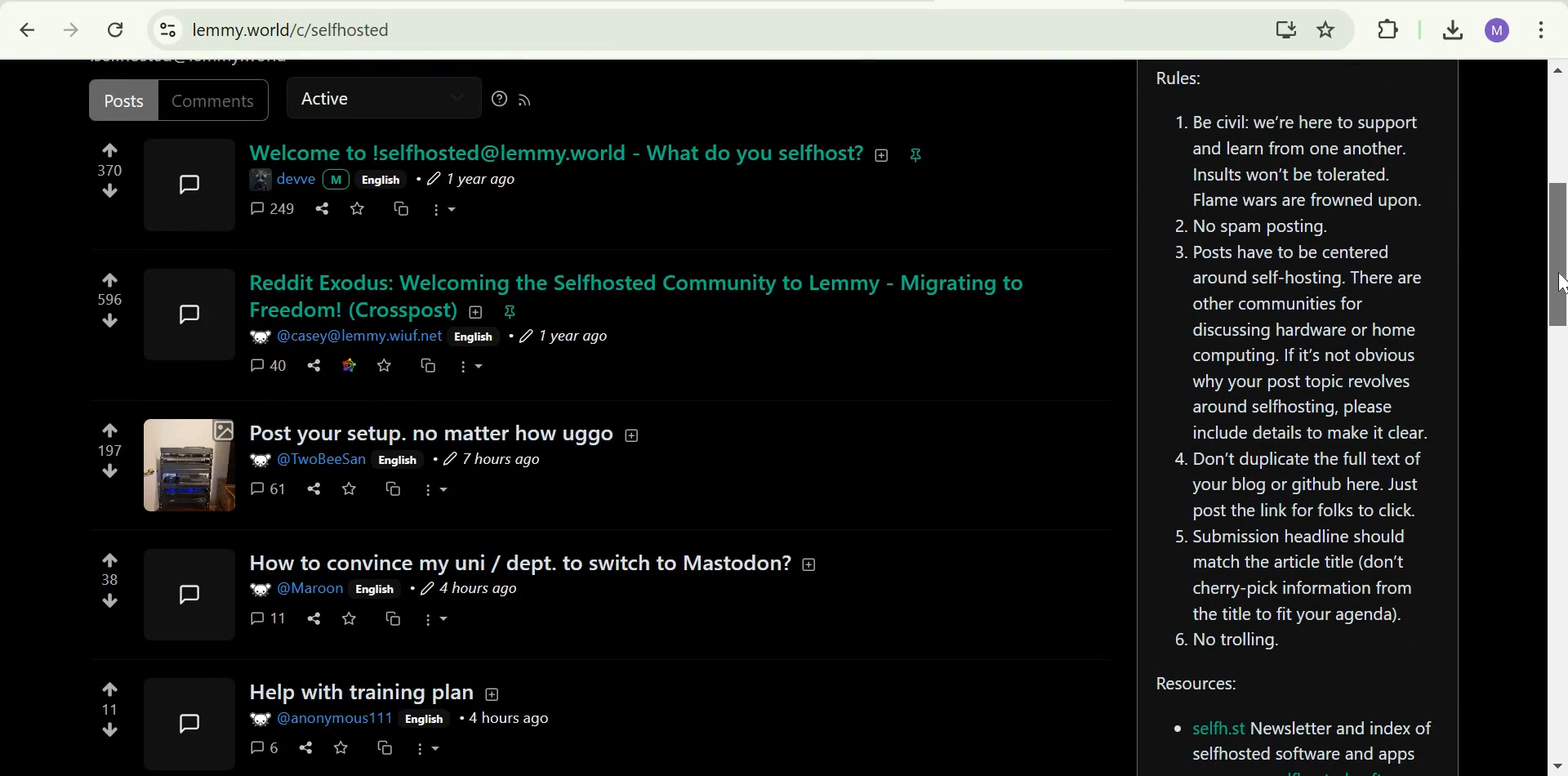 Image resolution: width=1568 pixels, height=776 pixels. Describe the element at coordinates (341, 747) in the screenshot. I see `save` at that location.